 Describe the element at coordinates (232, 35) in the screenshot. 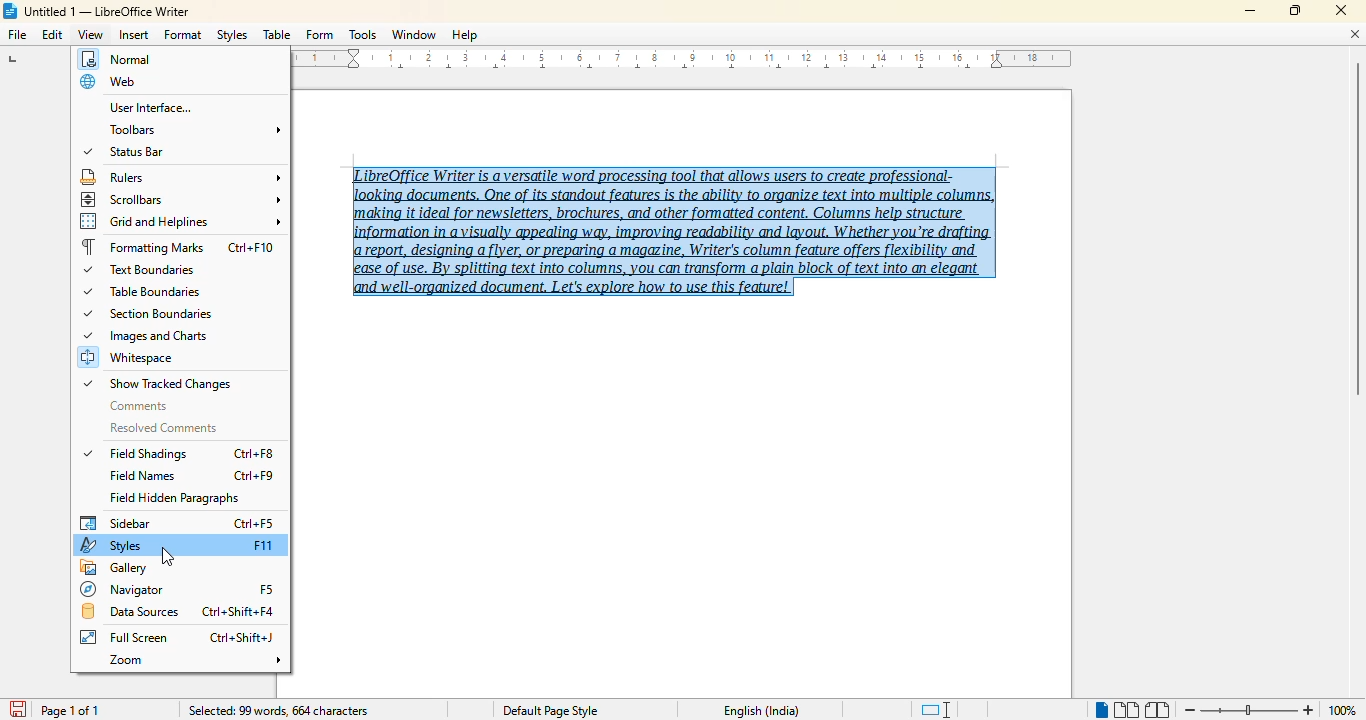

I see `styles` at that location.